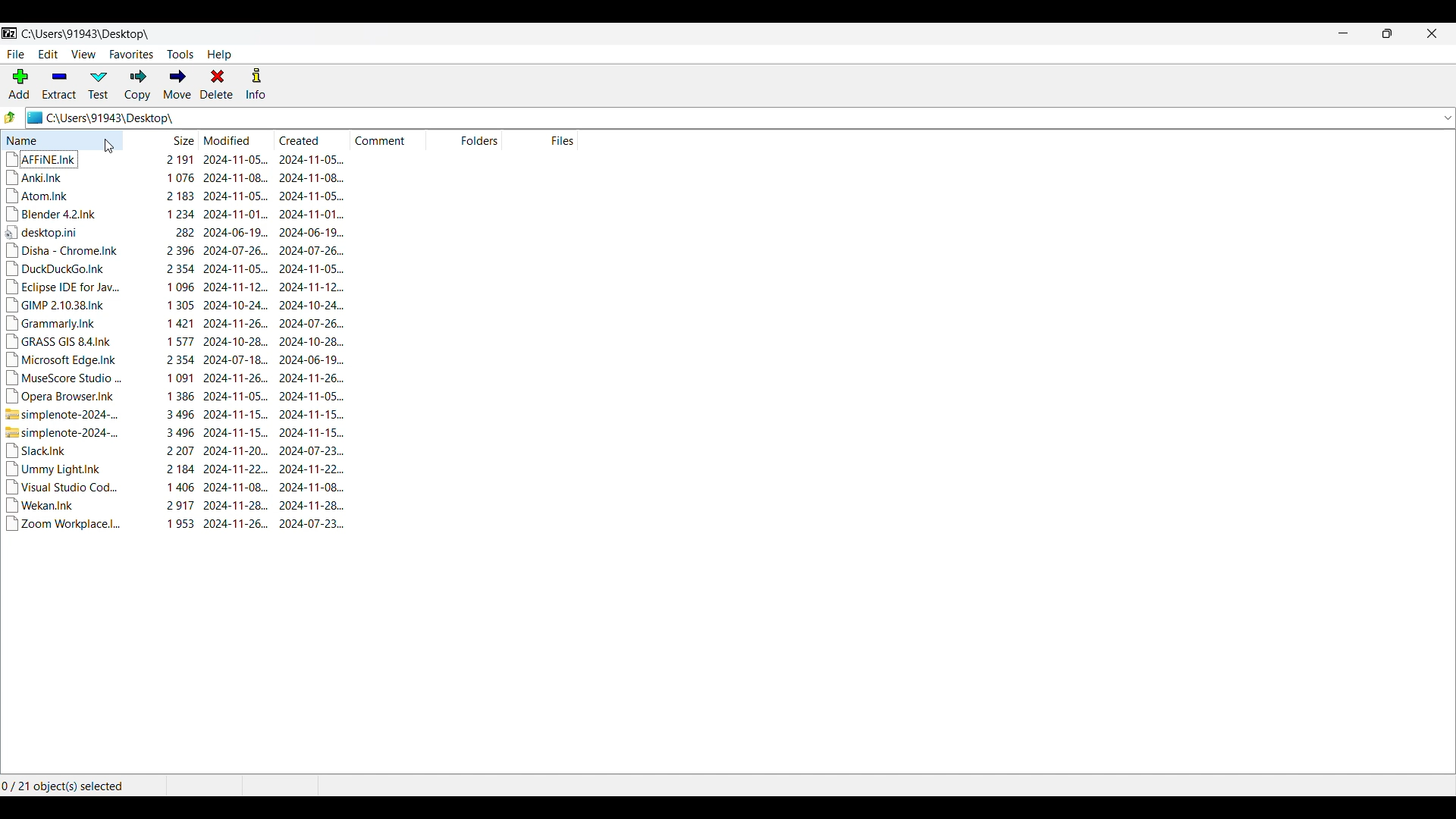 The image size is (1456, 819). What do you see at coordinates (173, 232) in the screenshot?
I see `desktop.ini 282 2024-06-19... 2024-06-19...` at bounding box center [173, 232].